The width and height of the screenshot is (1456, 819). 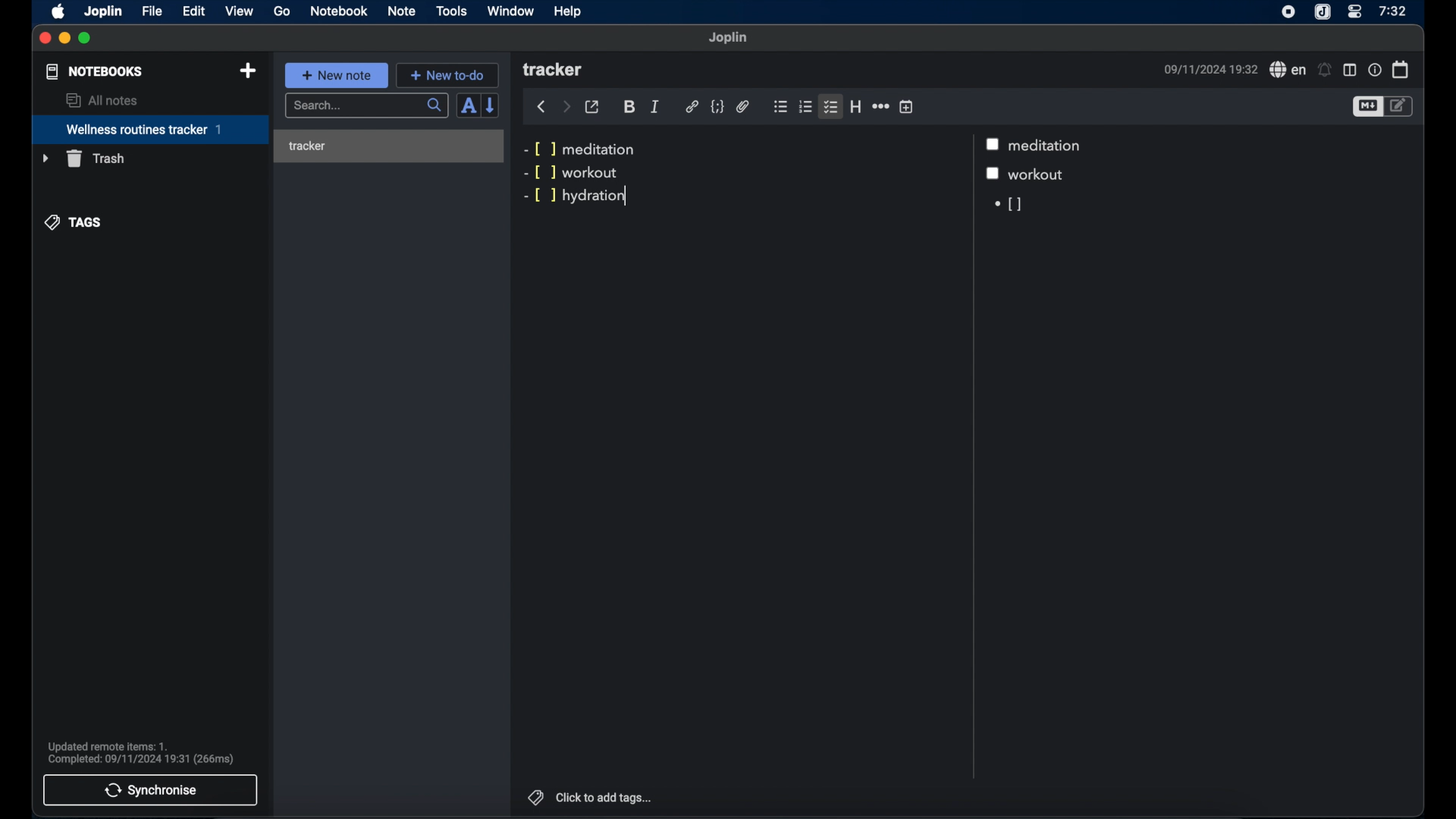 I want to click on bold, so click(x=629, y=108).